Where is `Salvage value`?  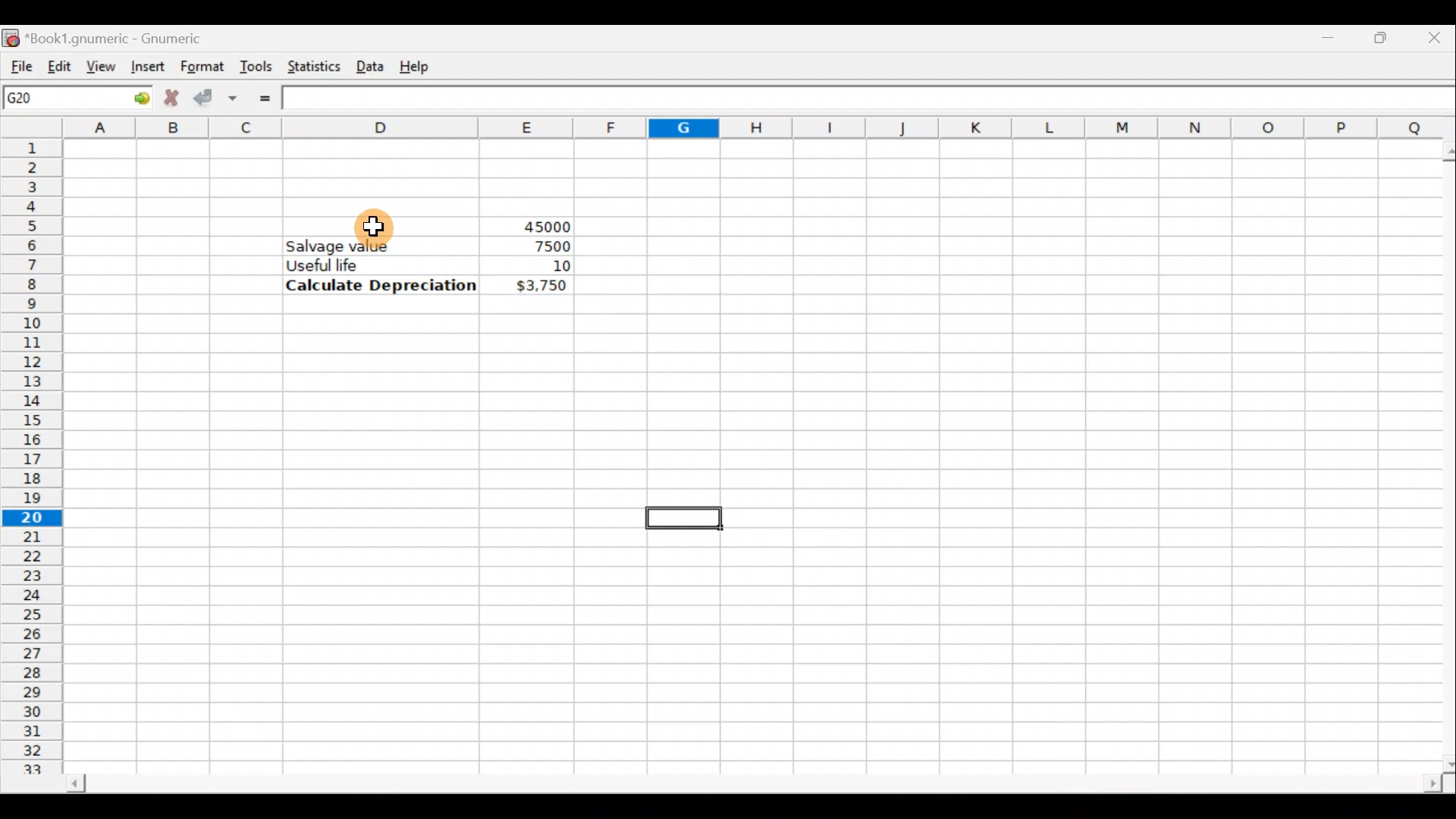 Salvage value is located at coordinates (367, 246).